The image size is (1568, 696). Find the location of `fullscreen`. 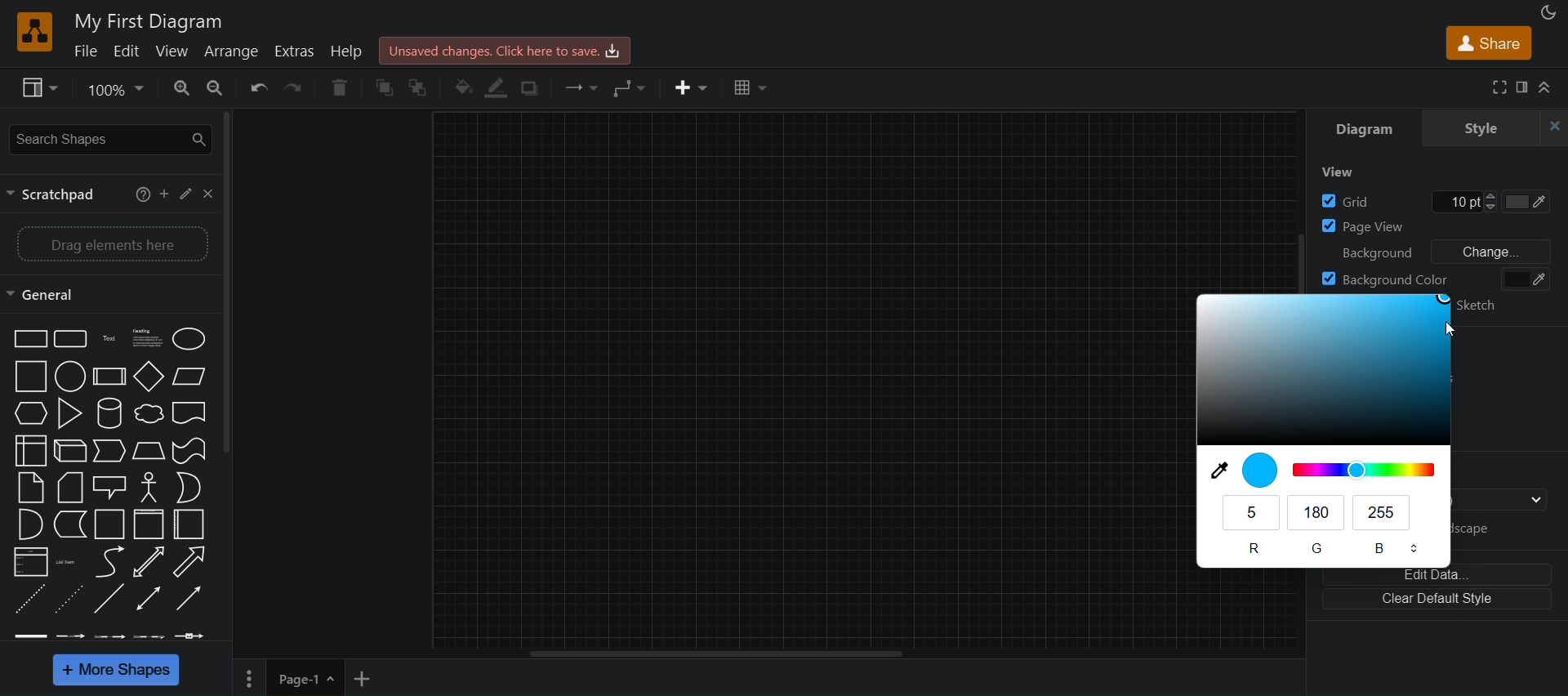

fullscreen is located at coordinates (1498, 87).